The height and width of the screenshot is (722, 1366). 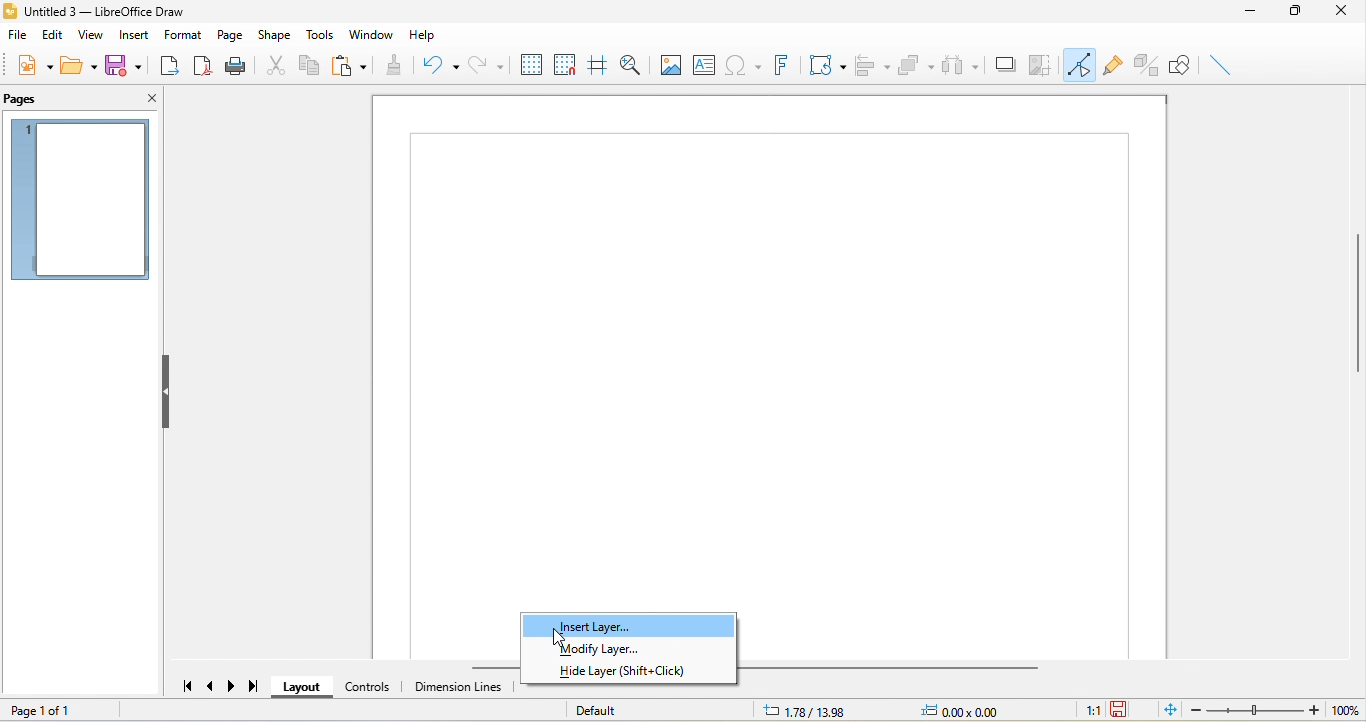 I want to click on show draw function, so click(x=1182, y=65).